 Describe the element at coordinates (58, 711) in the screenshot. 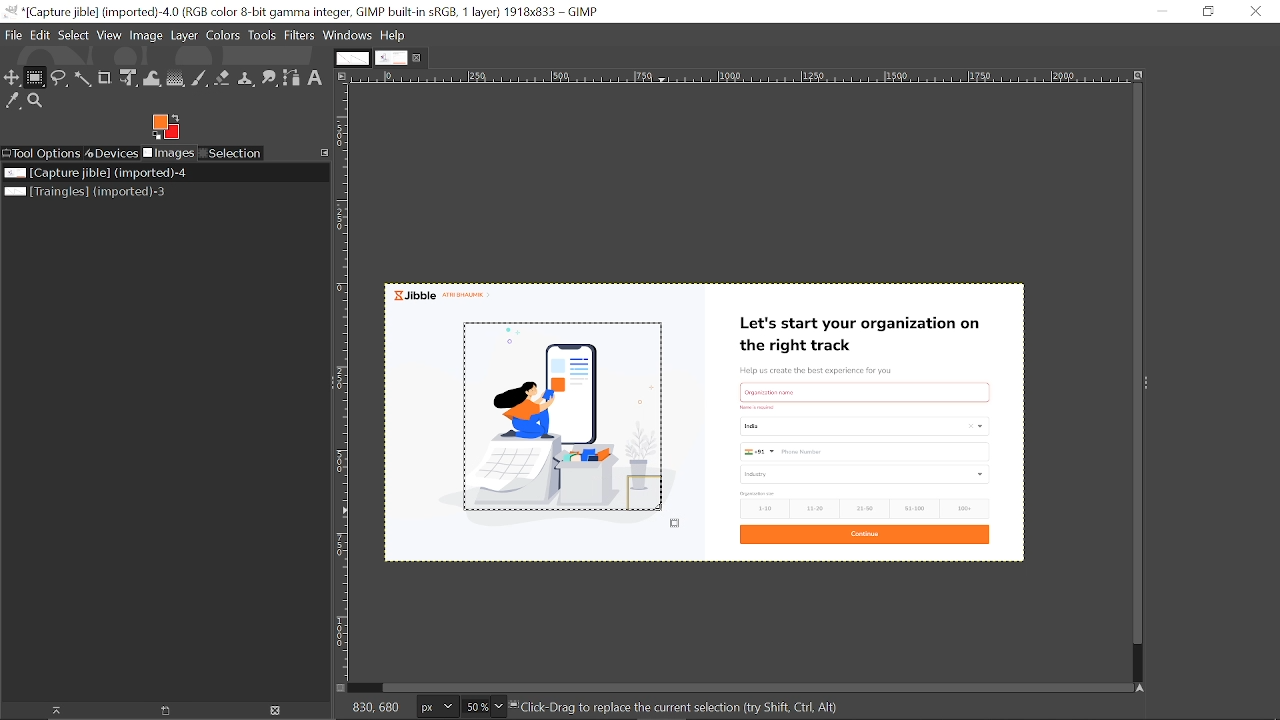

I see `Raise this image's display` at that location.